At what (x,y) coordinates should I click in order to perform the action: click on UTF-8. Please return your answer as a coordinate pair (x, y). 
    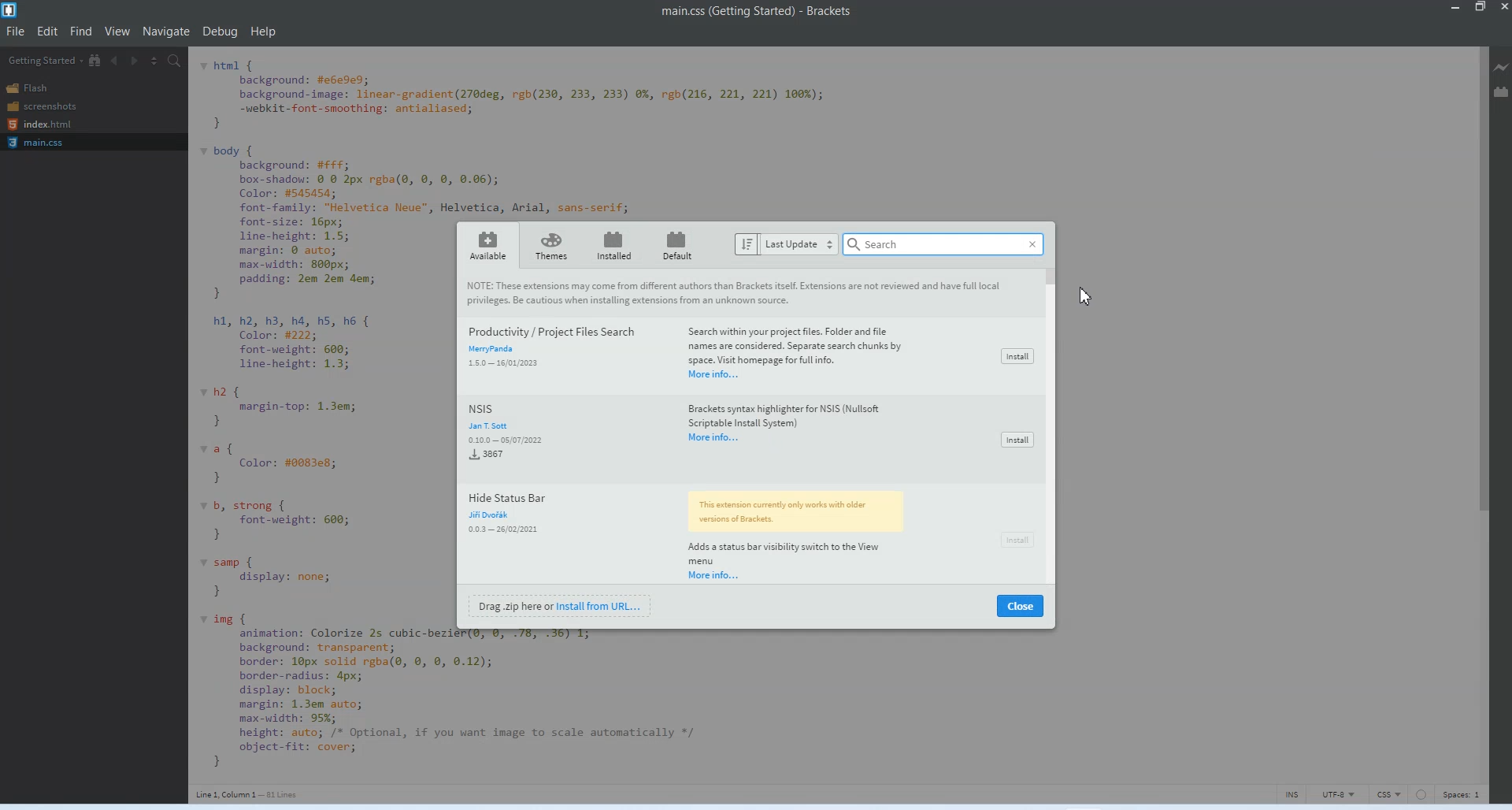
    Looking at the image, I should click on (1337, 793).